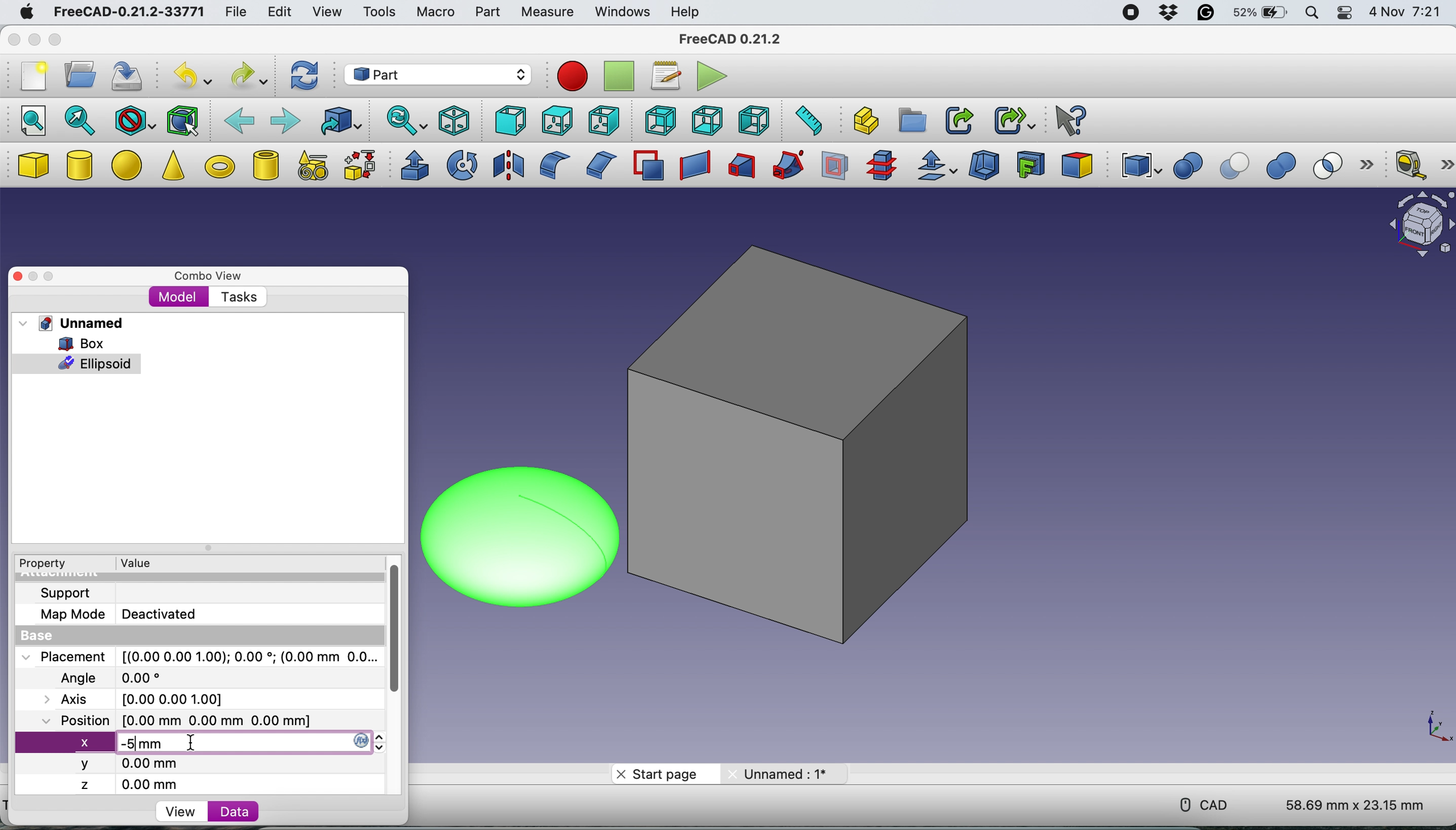 The width and height of the screenshot is (1456, 830). I want to click on record macros, so click(572, 76).